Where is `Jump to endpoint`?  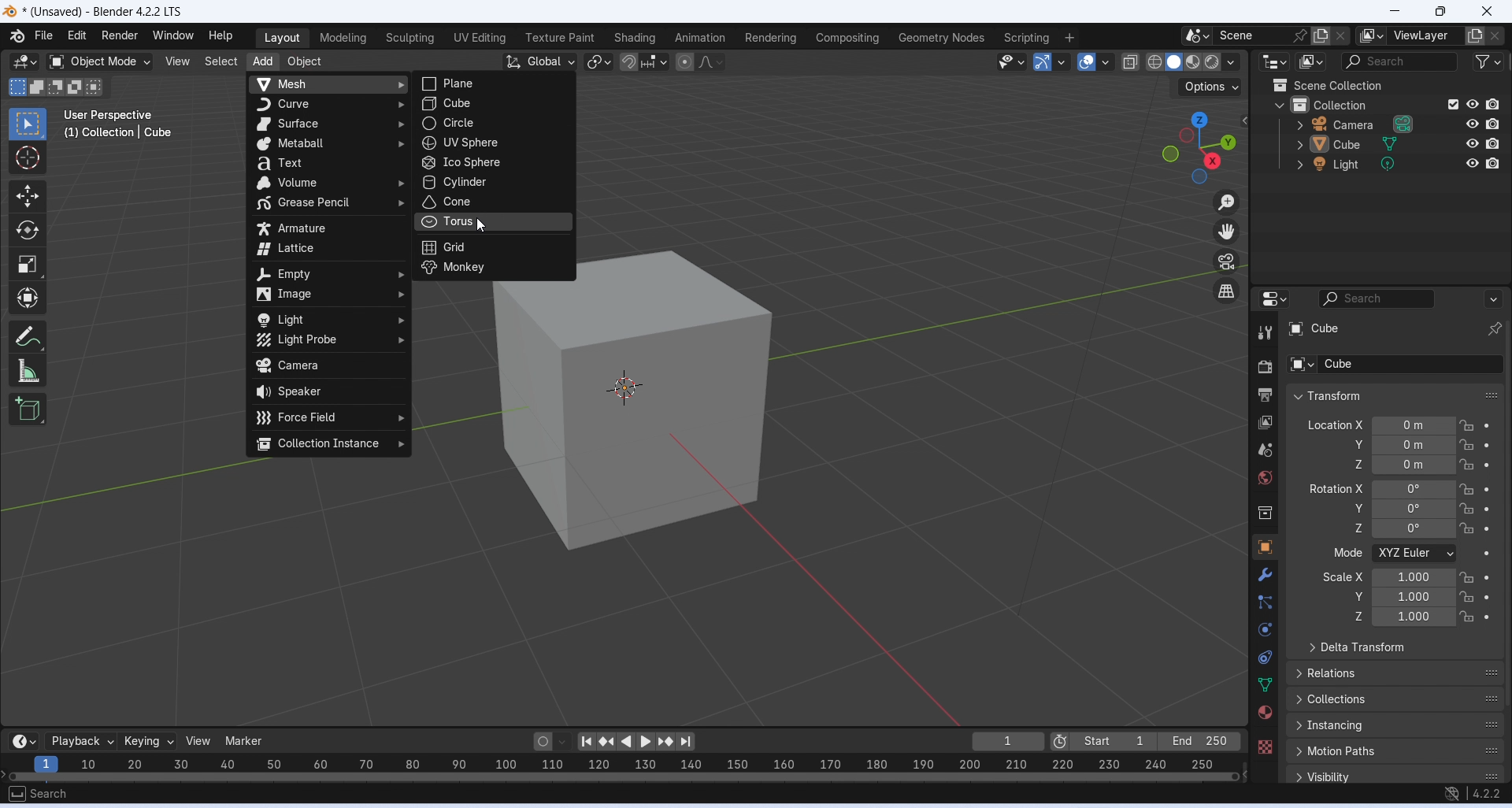
Jump to endpoint is located at coordinates (691, 742).